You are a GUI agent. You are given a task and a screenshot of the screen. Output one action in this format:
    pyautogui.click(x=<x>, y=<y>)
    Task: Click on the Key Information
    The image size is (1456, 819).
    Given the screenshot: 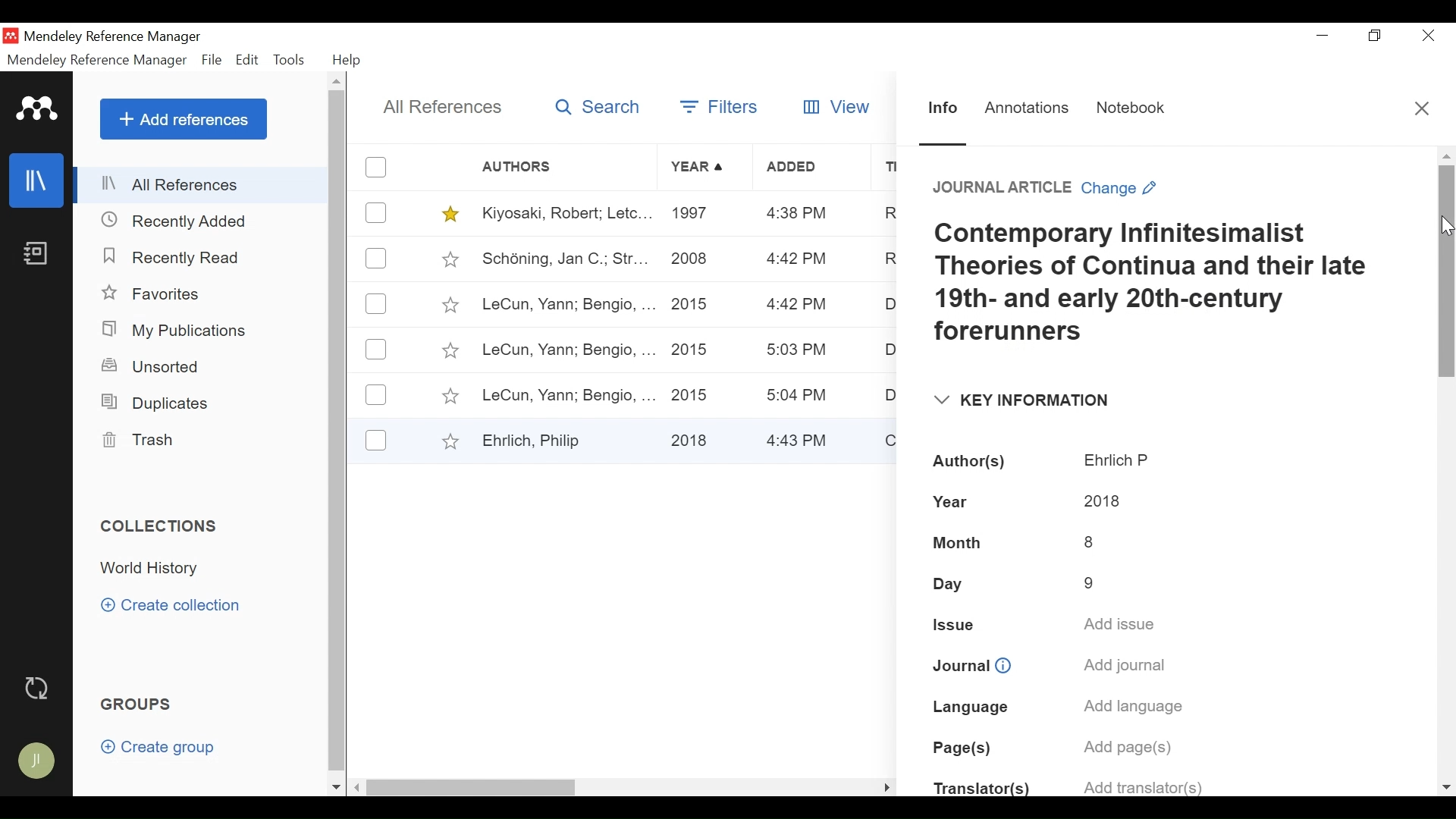 What is the action you would take?
    pyautogui.click(x=1018, y=401)
    